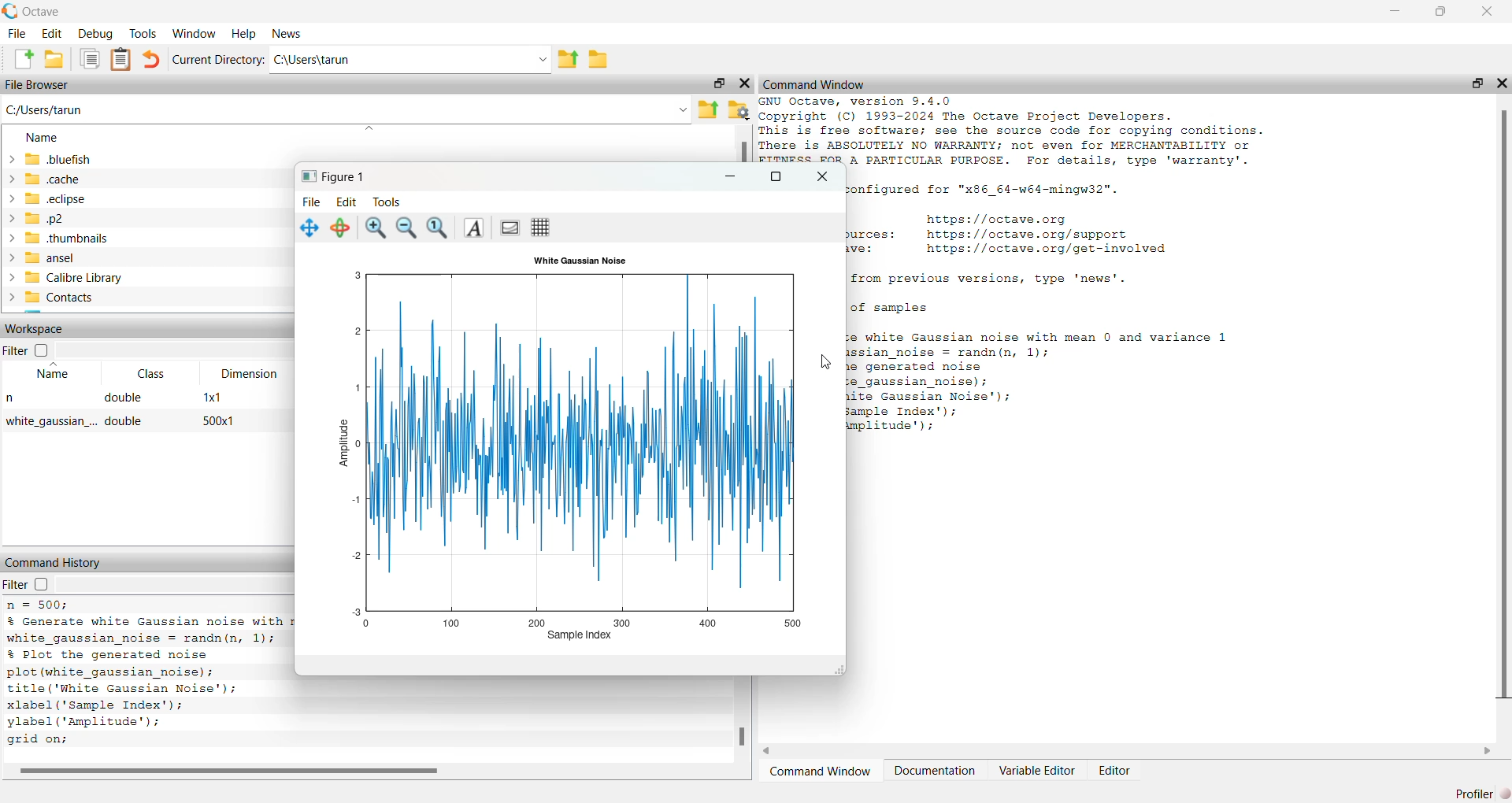  Describe the element at coordinates (309, 200) in the screenshot. I see `File` at that location.